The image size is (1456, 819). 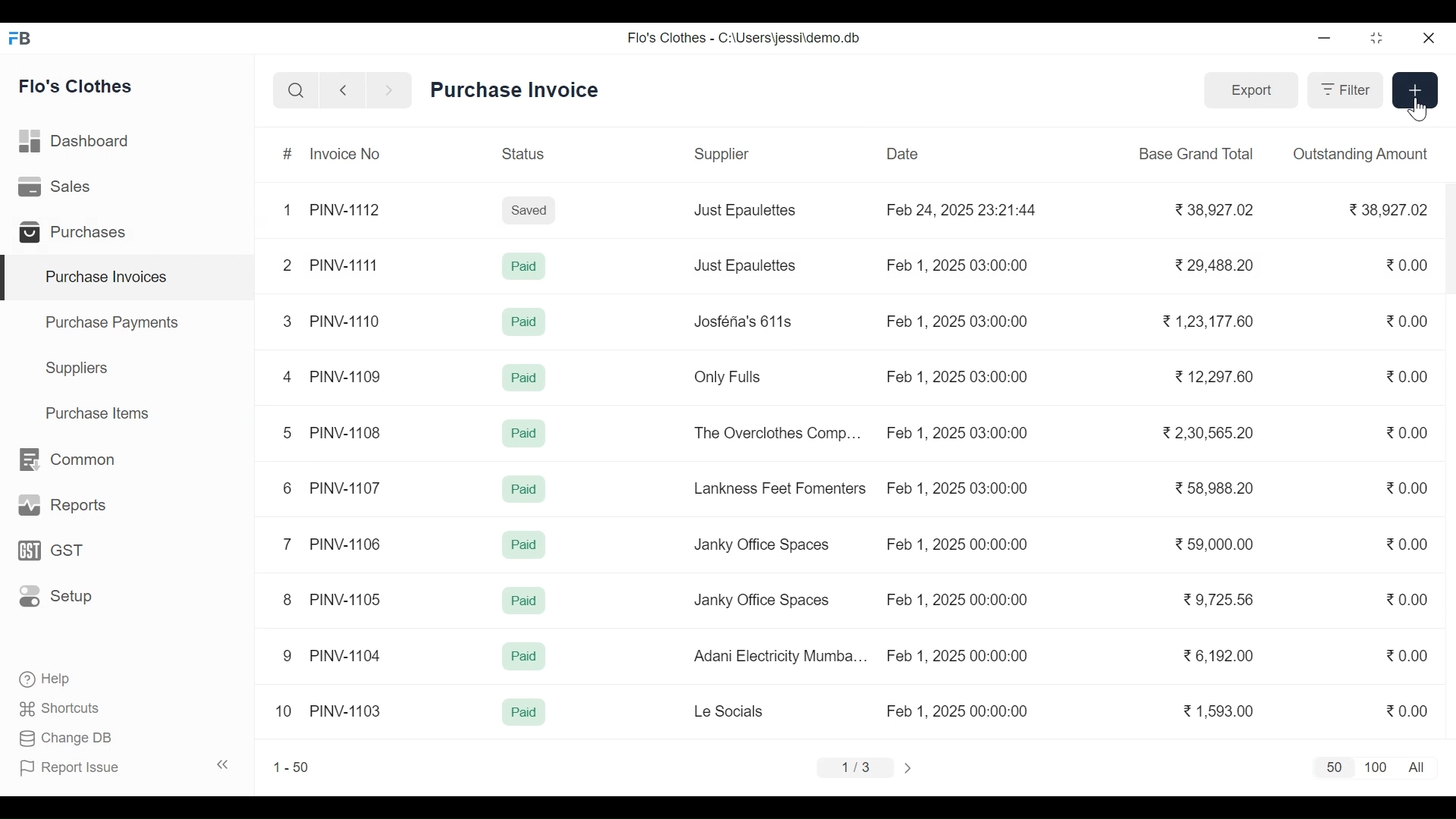 I want to click on 29,488.20, so click(x=1216, y=265).